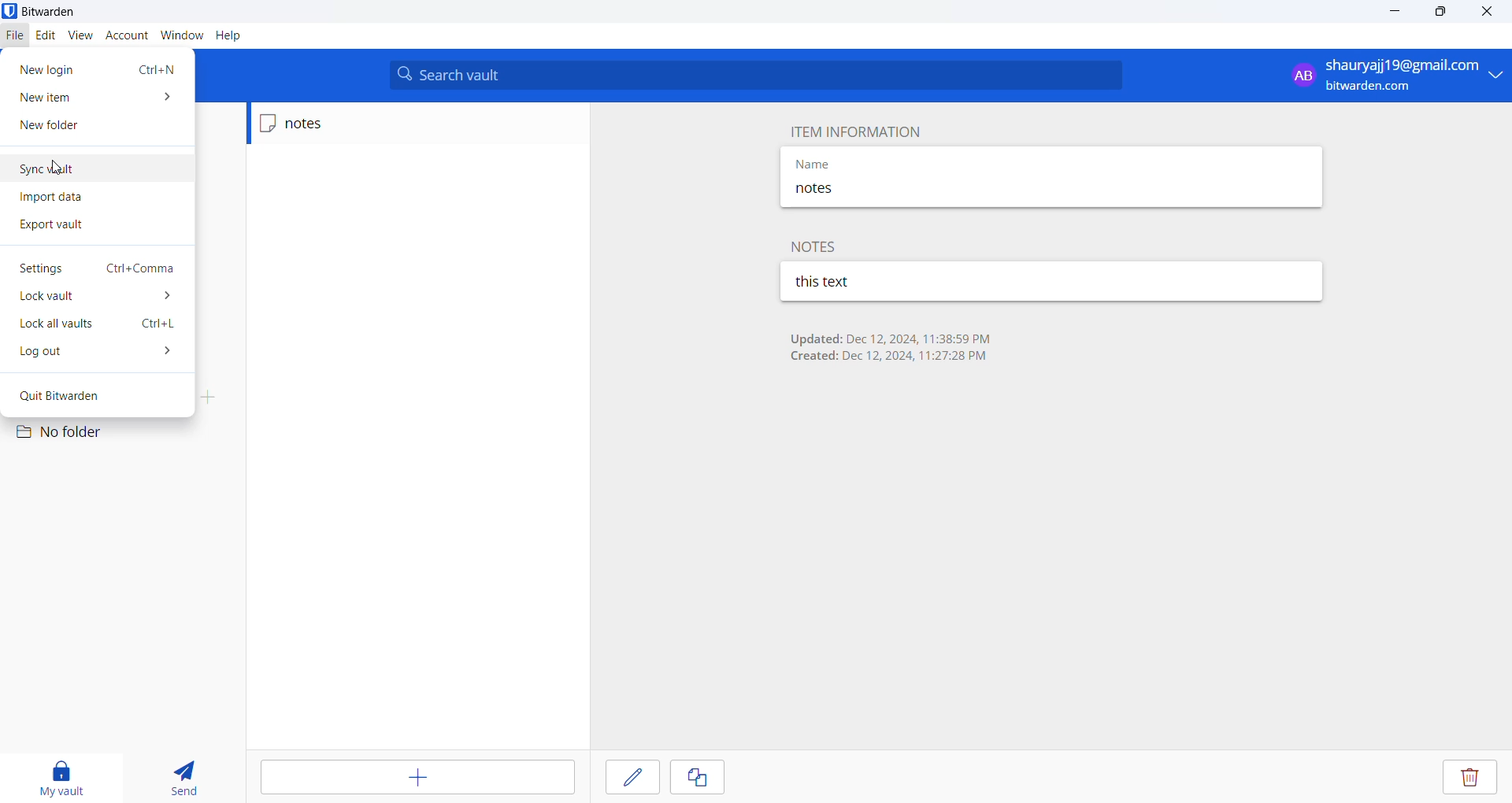  I want to click on lock all vaults, so click(101, 326).